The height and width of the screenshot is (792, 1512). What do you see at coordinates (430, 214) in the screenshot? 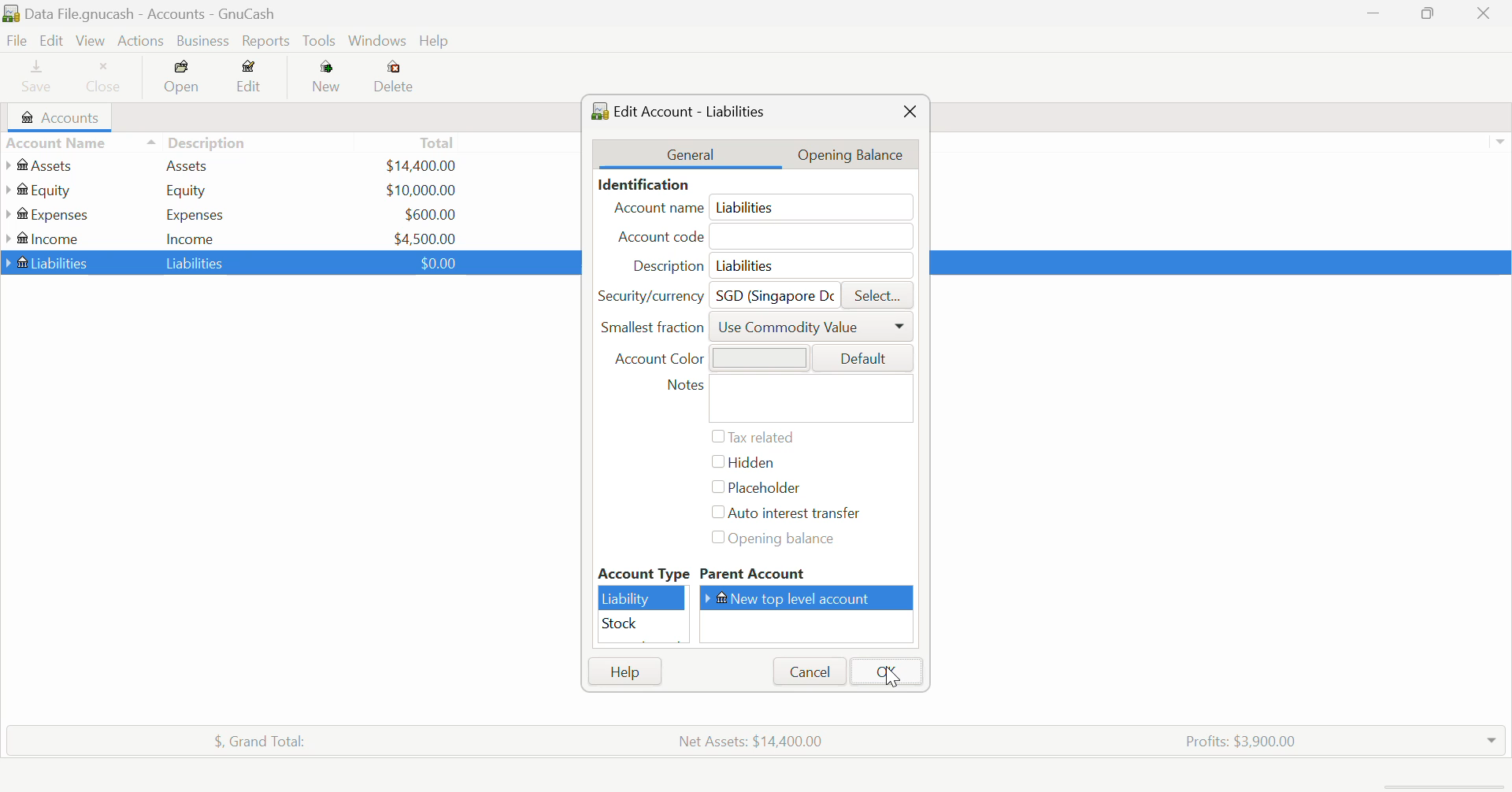
I see `USD` at bounding box center [430, 214].